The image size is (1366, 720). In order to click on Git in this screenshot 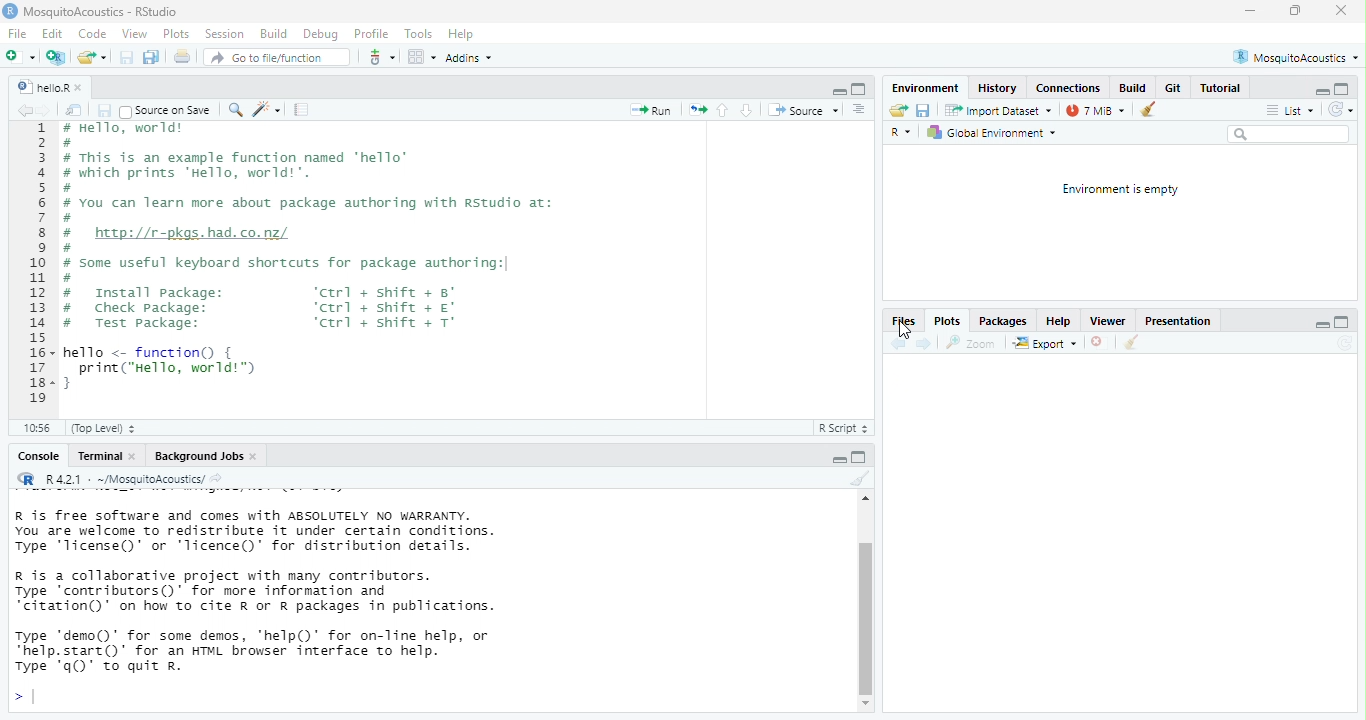, I will do `click(1172, 88)`.